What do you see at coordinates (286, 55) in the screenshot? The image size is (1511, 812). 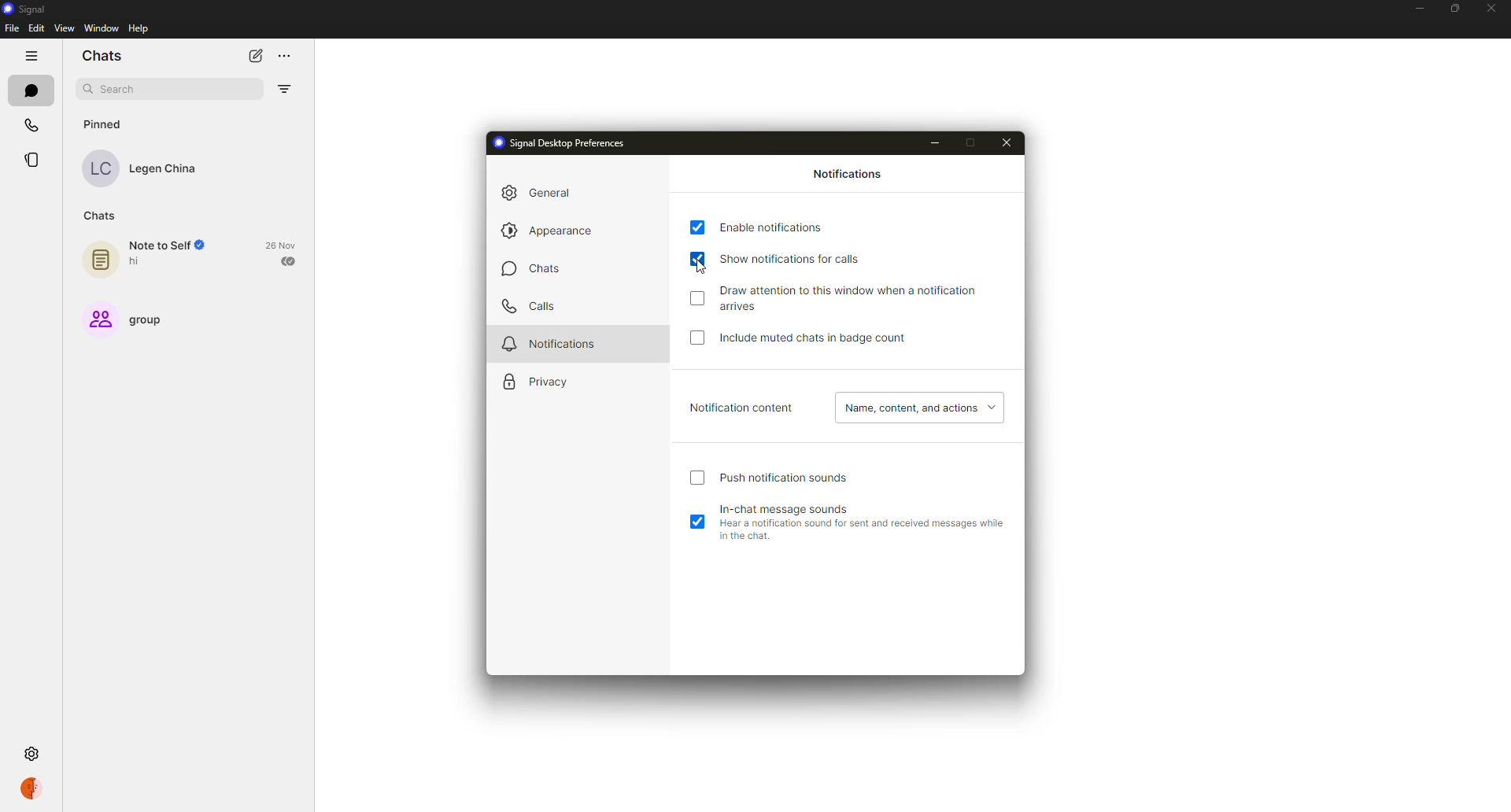 I see `more` at bounding box center [286, 55].